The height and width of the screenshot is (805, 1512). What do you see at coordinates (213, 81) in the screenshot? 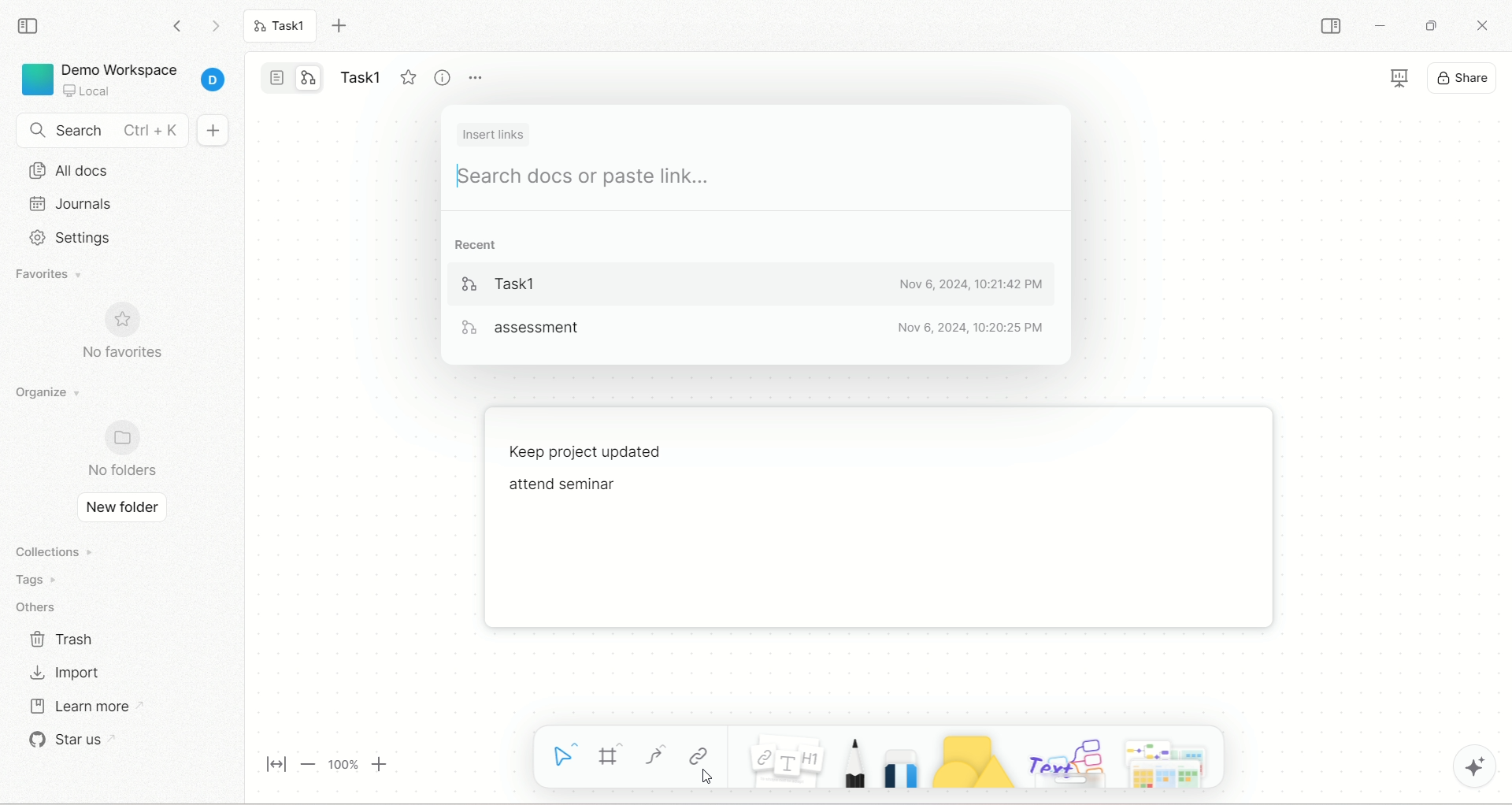
I see `account` at bounding box center [213, 81].